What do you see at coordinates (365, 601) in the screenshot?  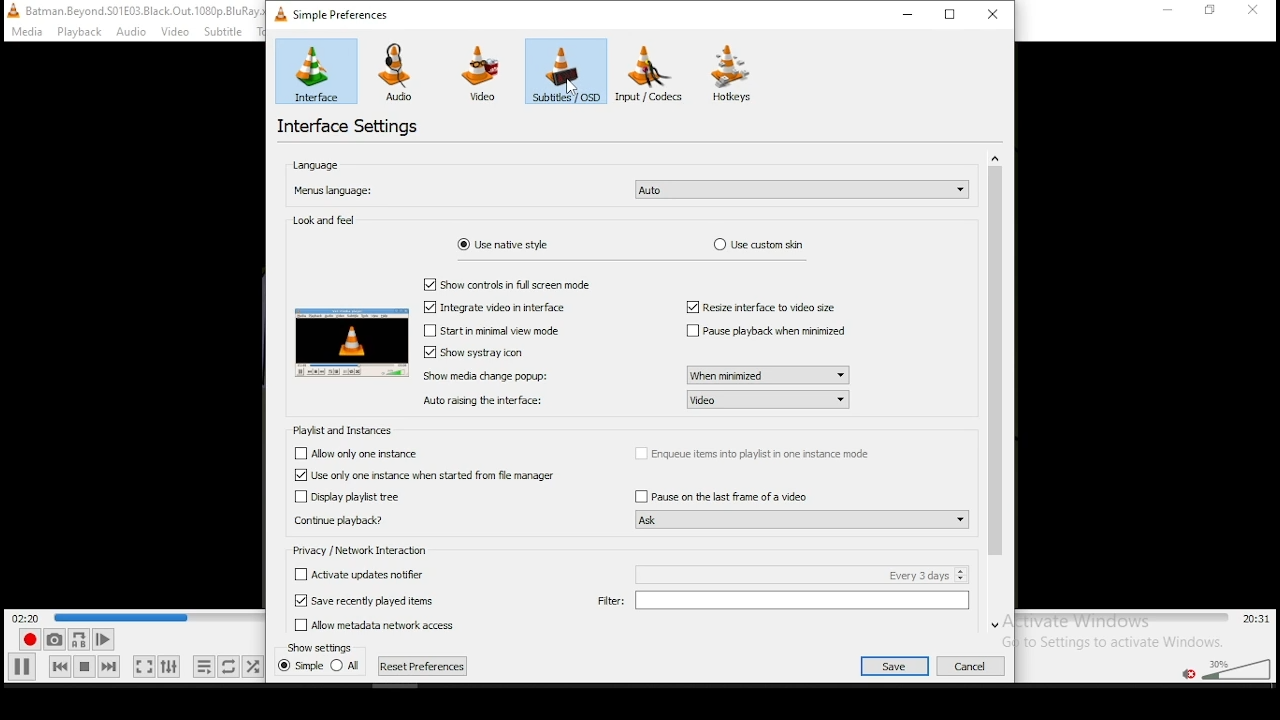 I see `checkbox: save recently played items` at bounding box center [365, 601].